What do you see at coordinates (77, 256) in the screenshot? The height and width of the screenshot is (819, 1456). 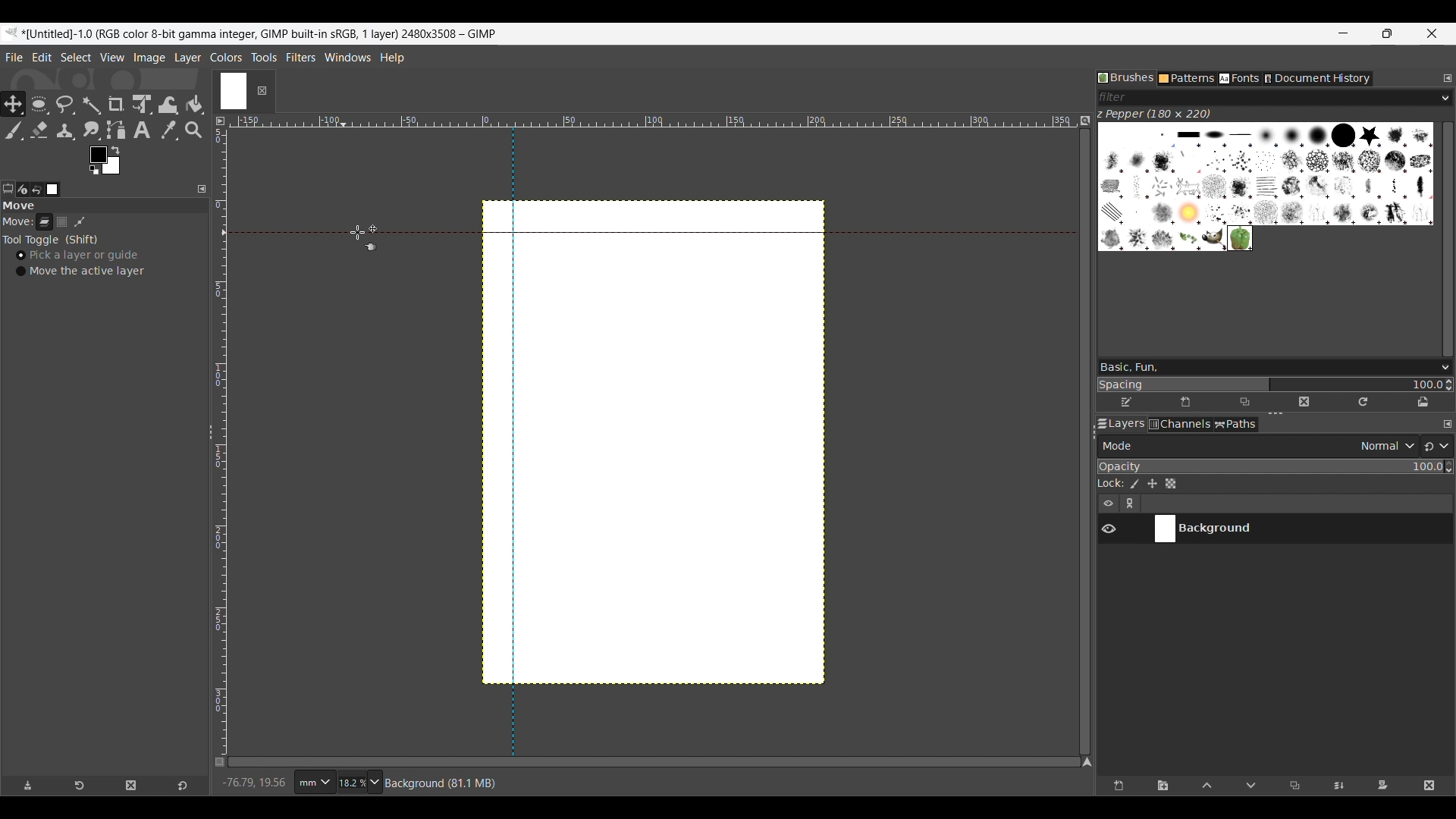 I see `Pick a layer or guide, toggle on` at bounding box center [77, 256].